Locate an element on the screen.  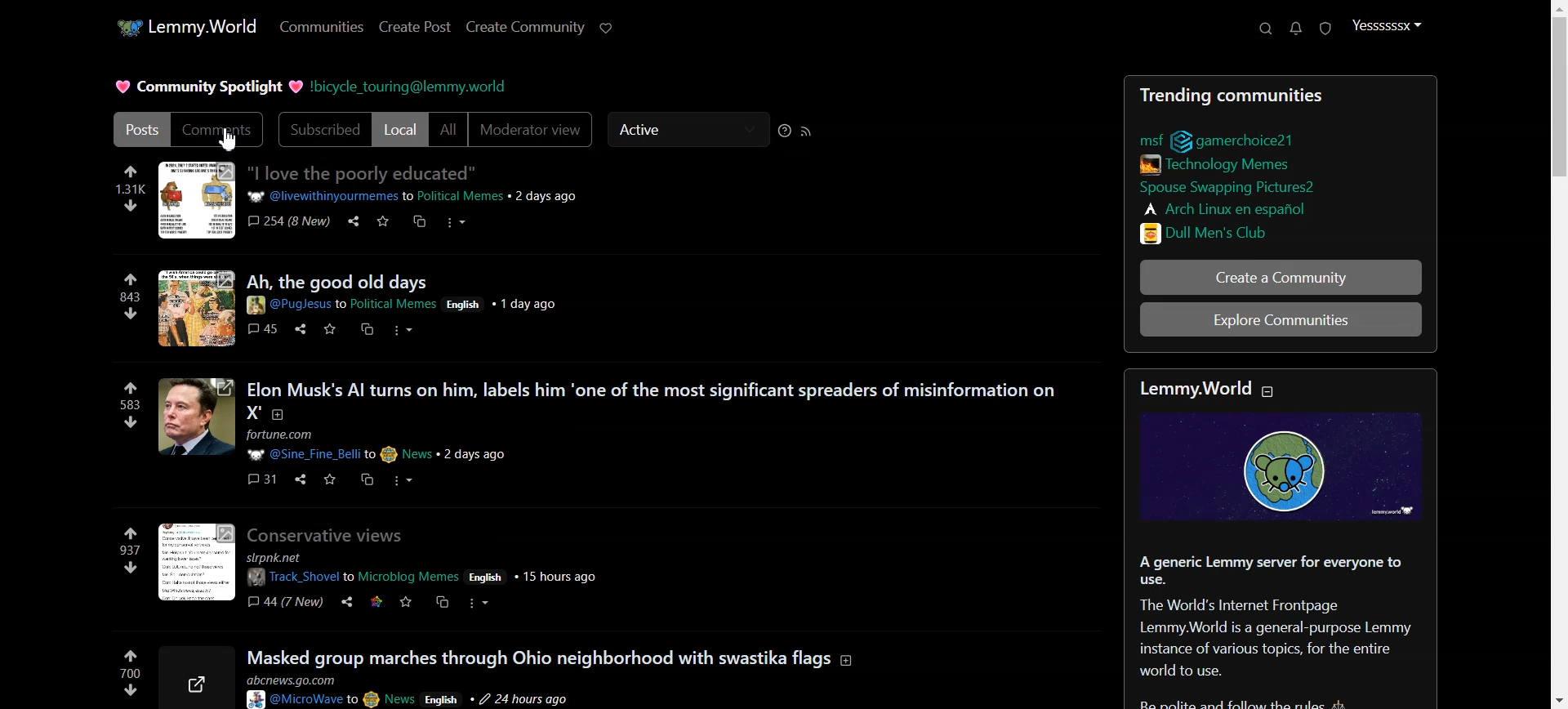
 is located at coordinates (200, 679).